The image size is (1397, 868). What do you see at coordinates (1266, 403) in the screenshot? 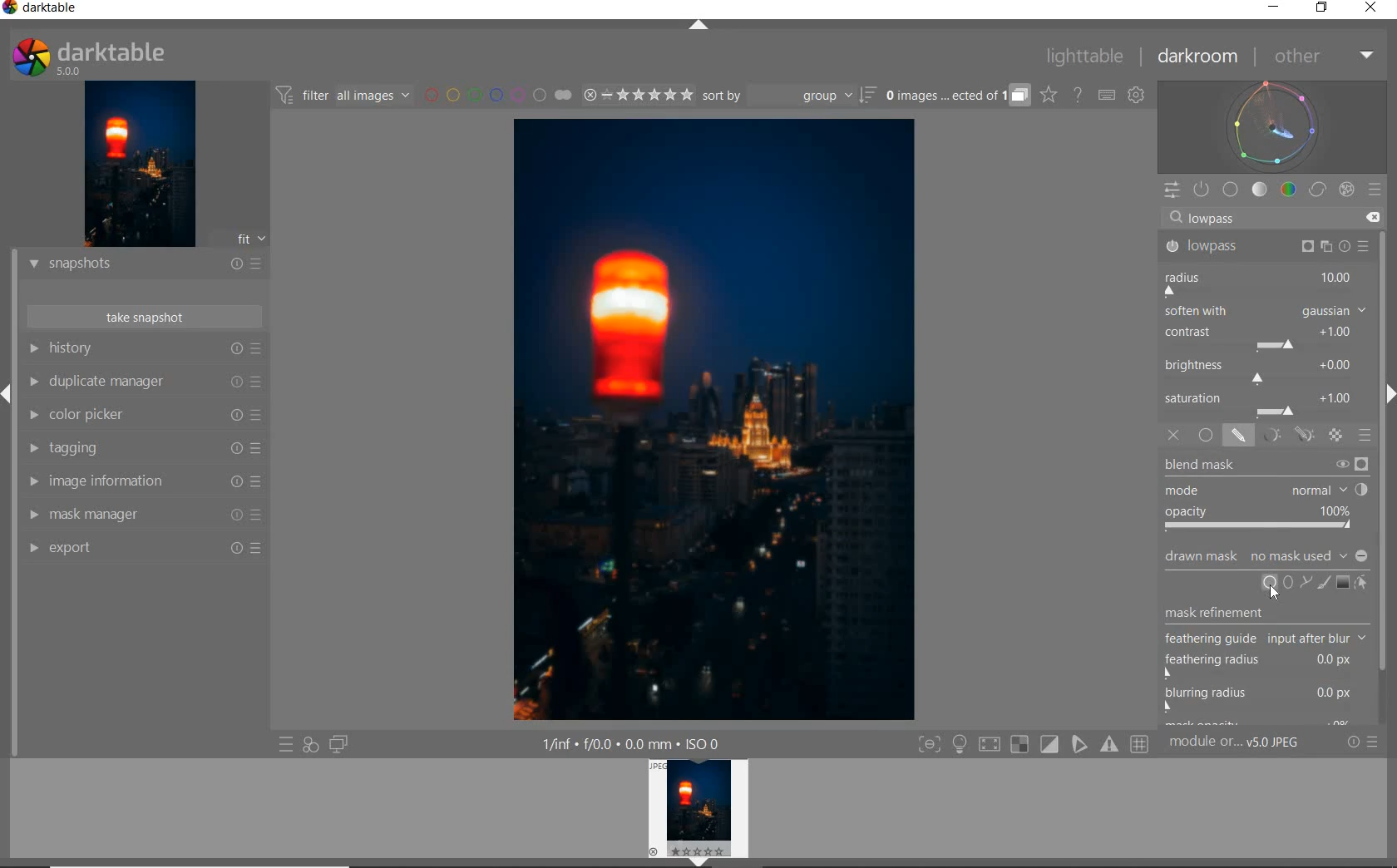
I see `SATURATION` at bounding box center [1266, 403].